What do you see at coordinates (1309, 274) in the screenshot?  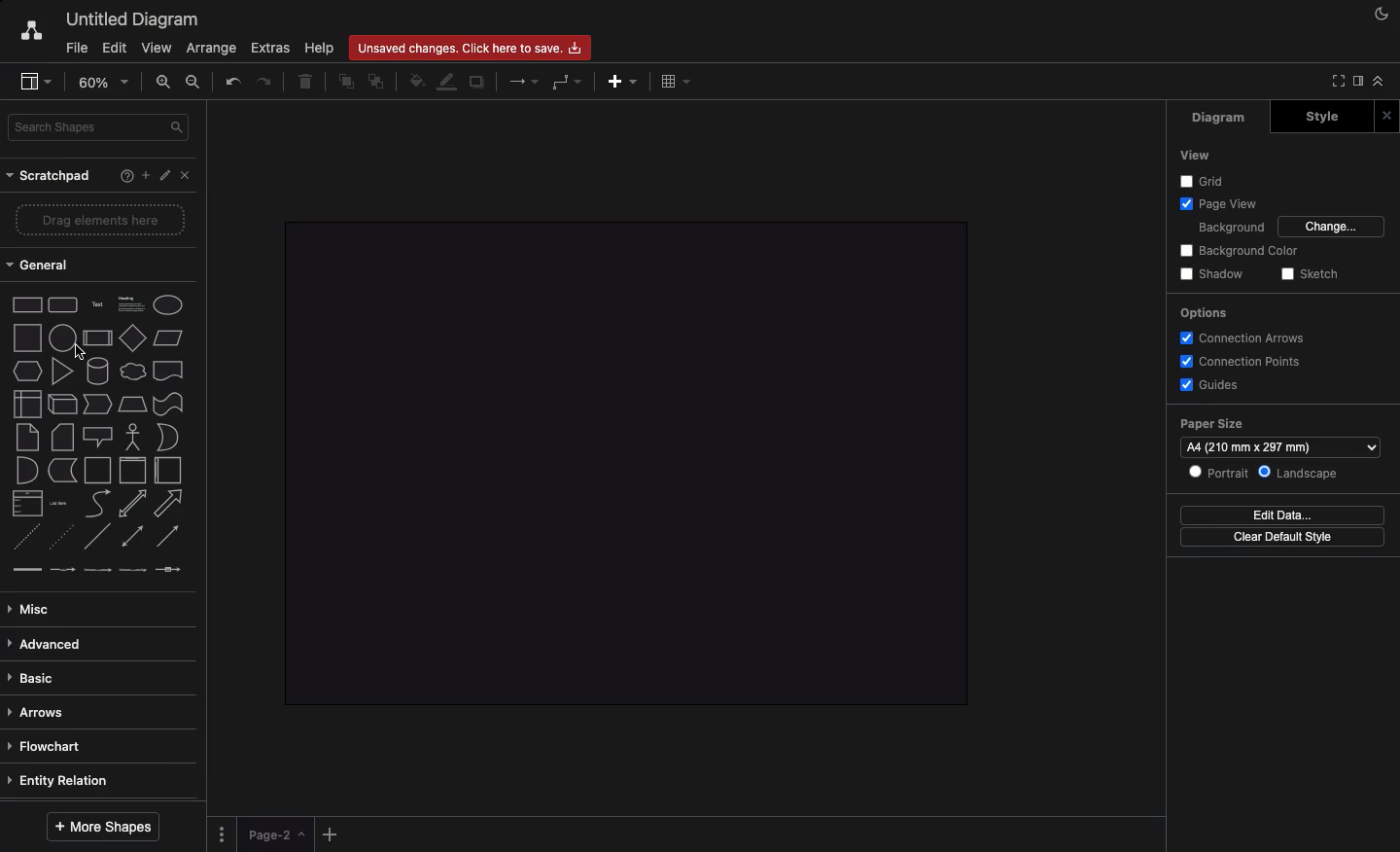 I see `Sketch` at bounding box center [1309, 274].